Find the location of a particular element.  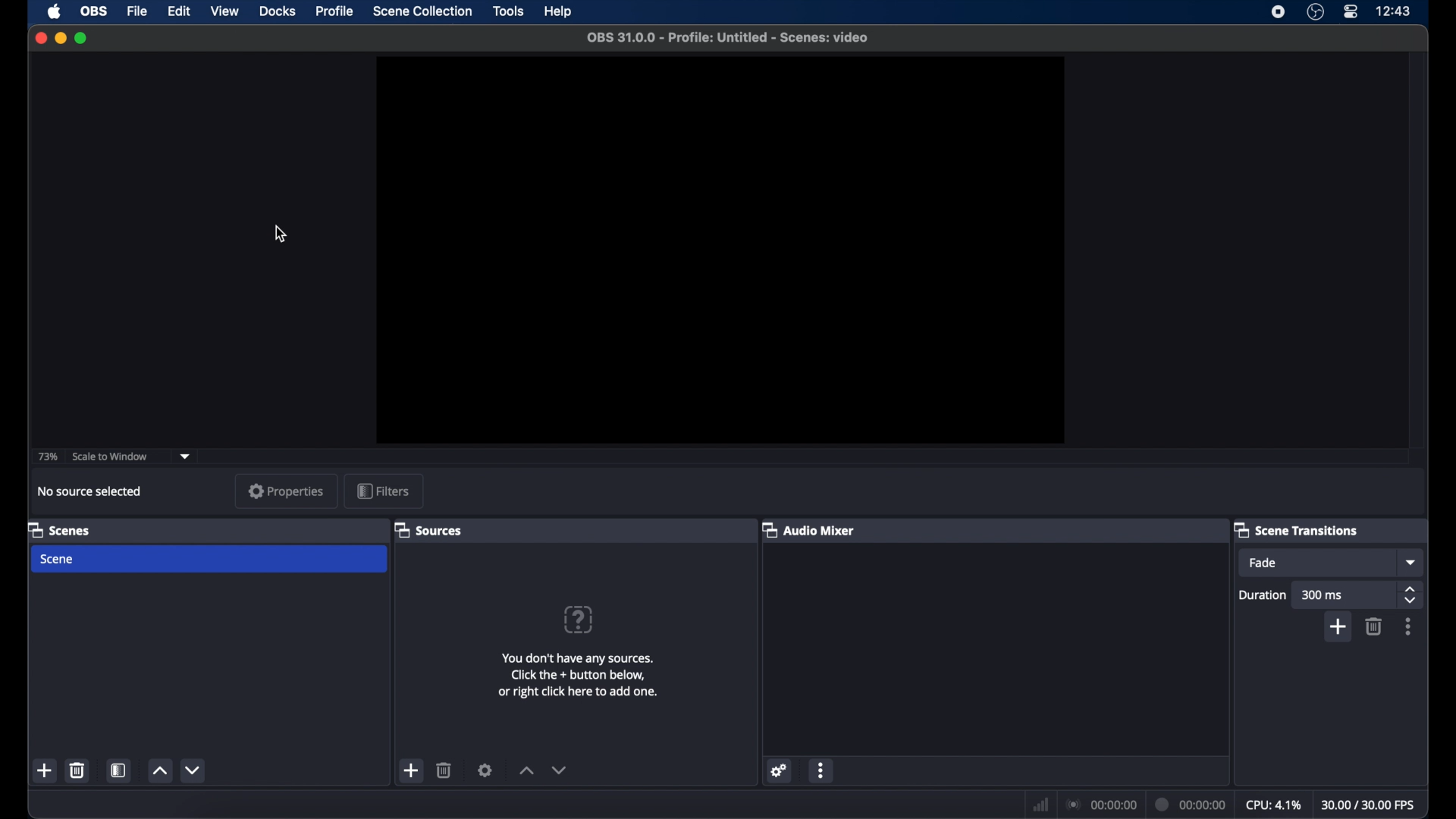

dropdown is located at coordinates (186, 456).